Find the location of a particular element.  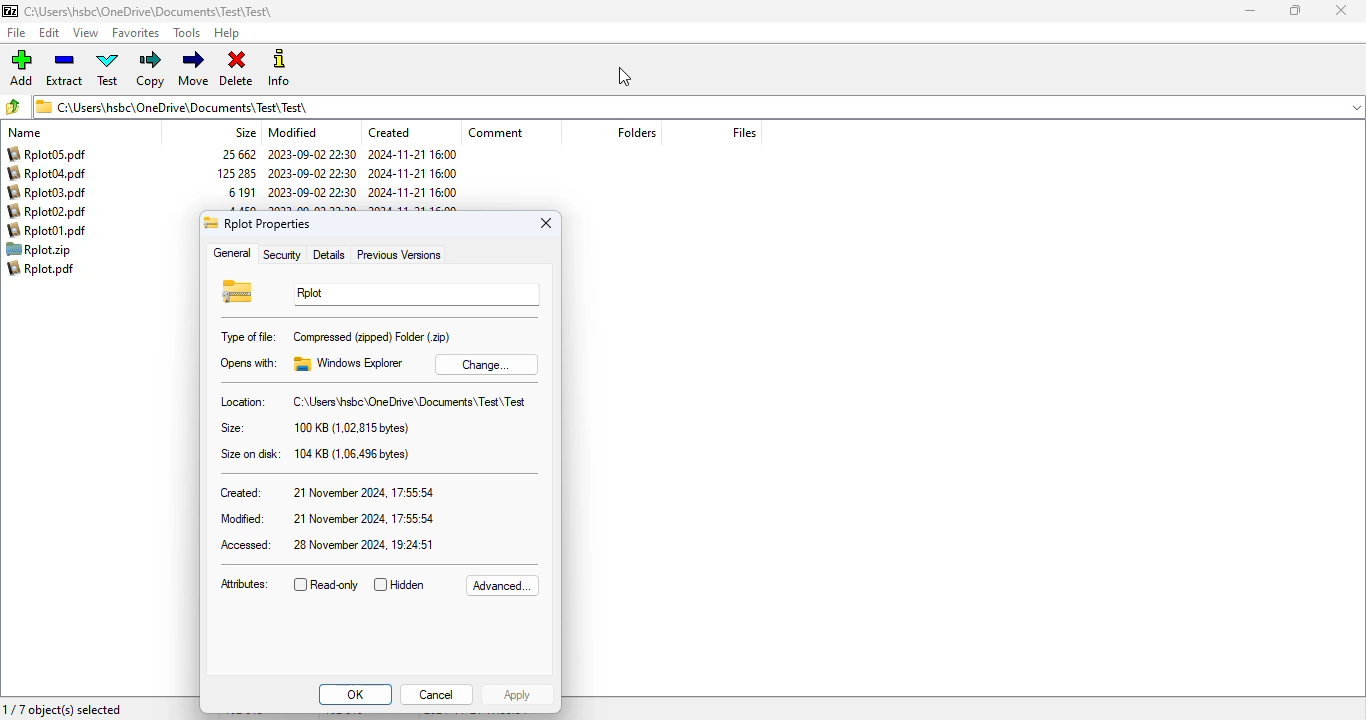

file is located at coordinates (16, 32).